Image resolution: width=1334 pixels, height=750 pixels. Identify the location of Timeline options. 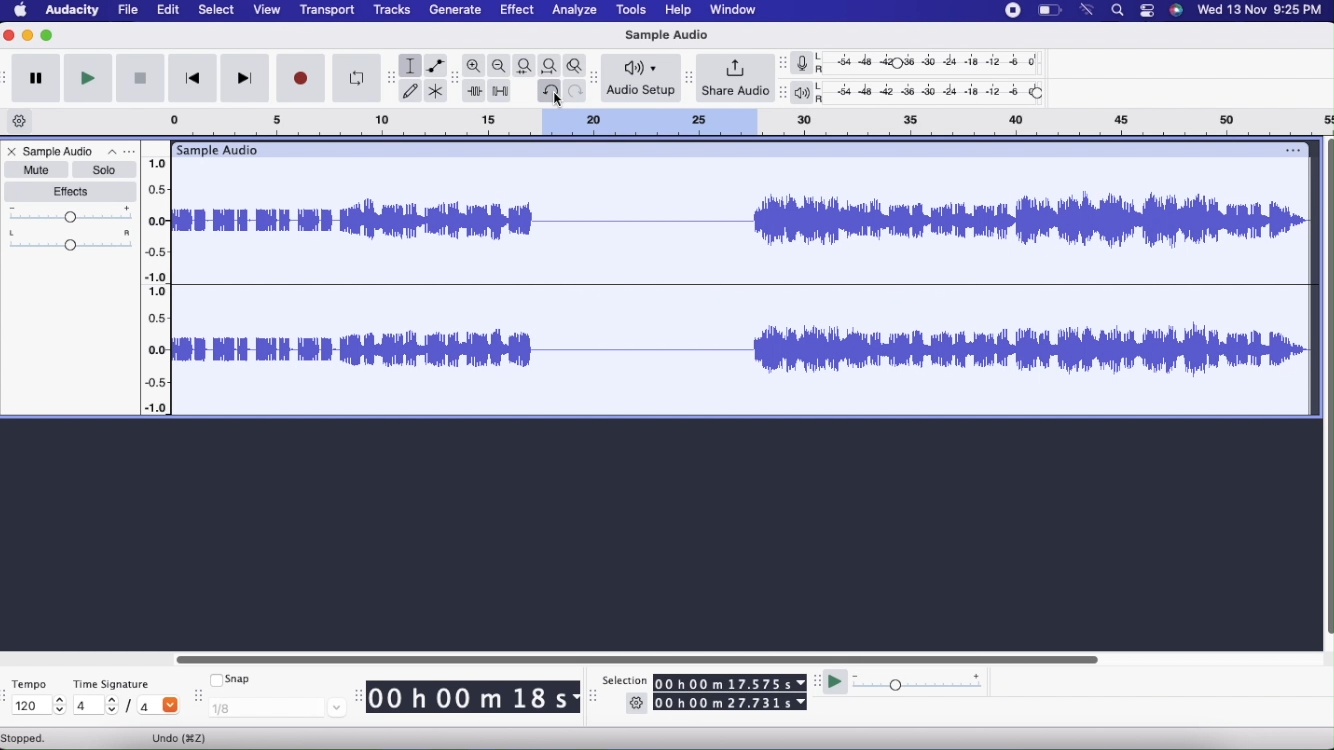
(21, 121).